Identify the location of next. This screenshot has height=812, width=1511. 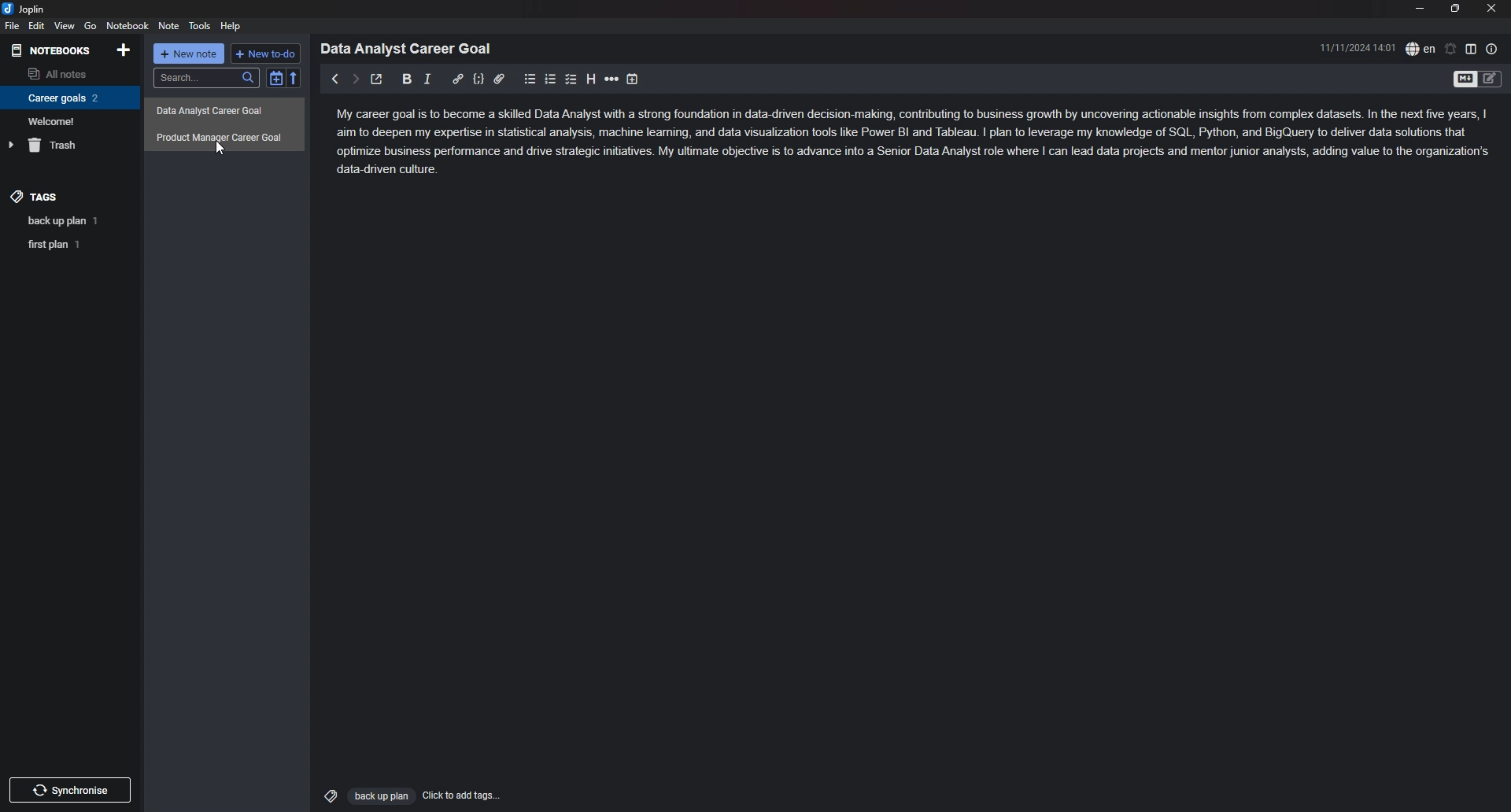
(355, 79).